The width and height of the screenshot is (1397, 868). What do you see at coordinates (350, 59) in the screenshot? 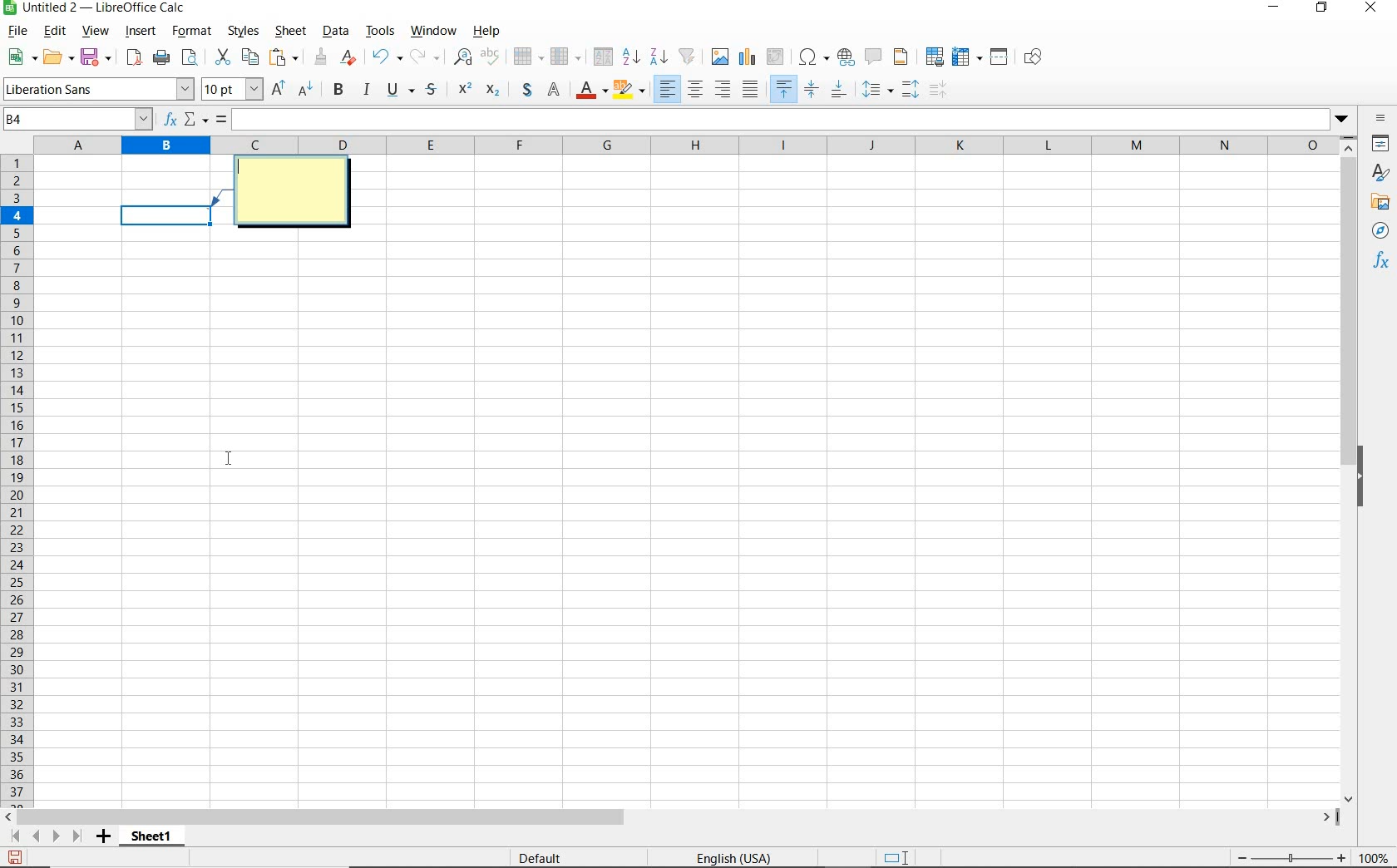
I see `clear direct formatting` at bounding box center [350, 59].